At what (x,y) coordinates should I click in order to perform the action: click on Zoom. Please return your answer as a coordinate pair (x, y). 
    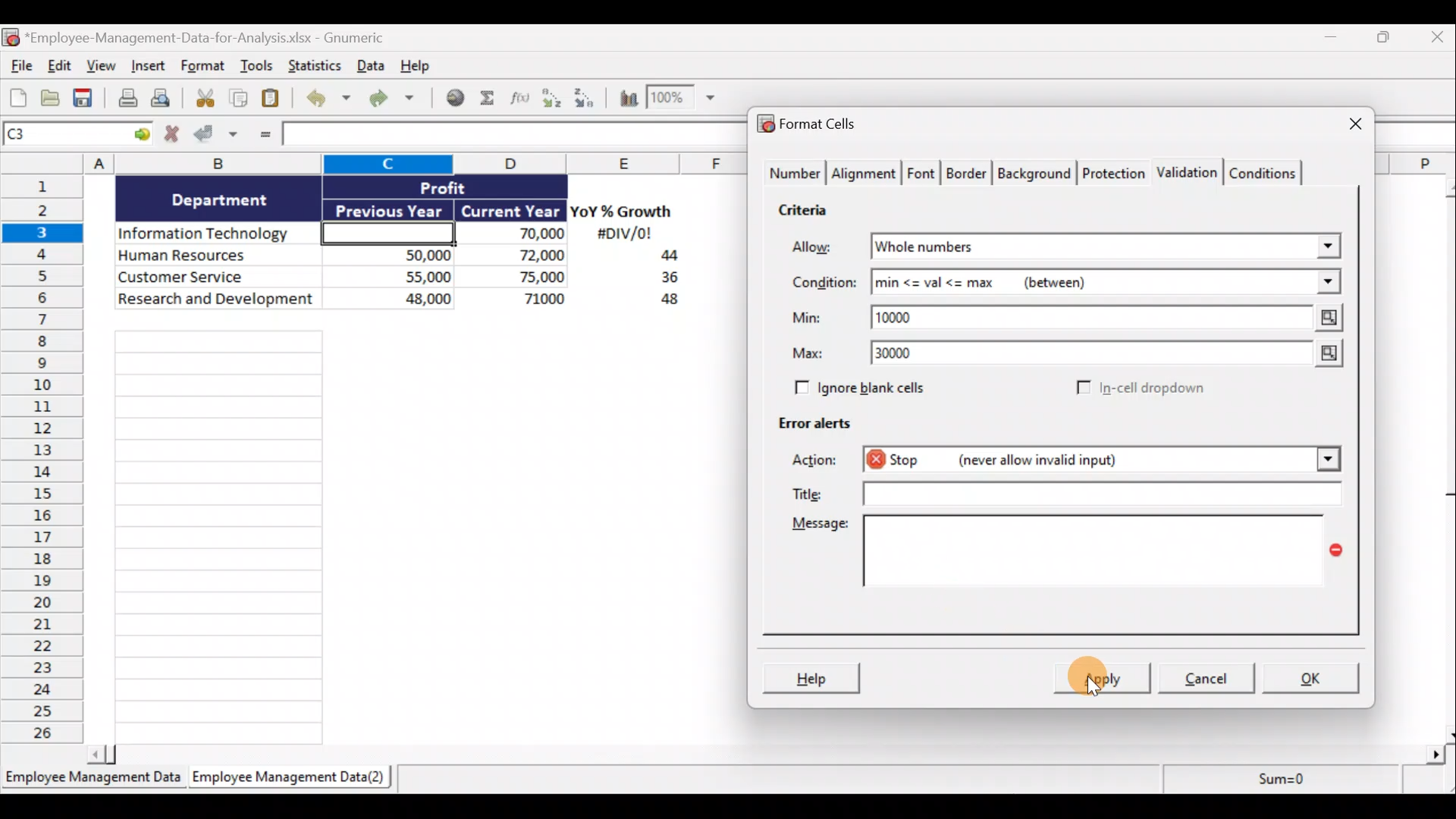
    Looking at the image, I should click on (685, 101).